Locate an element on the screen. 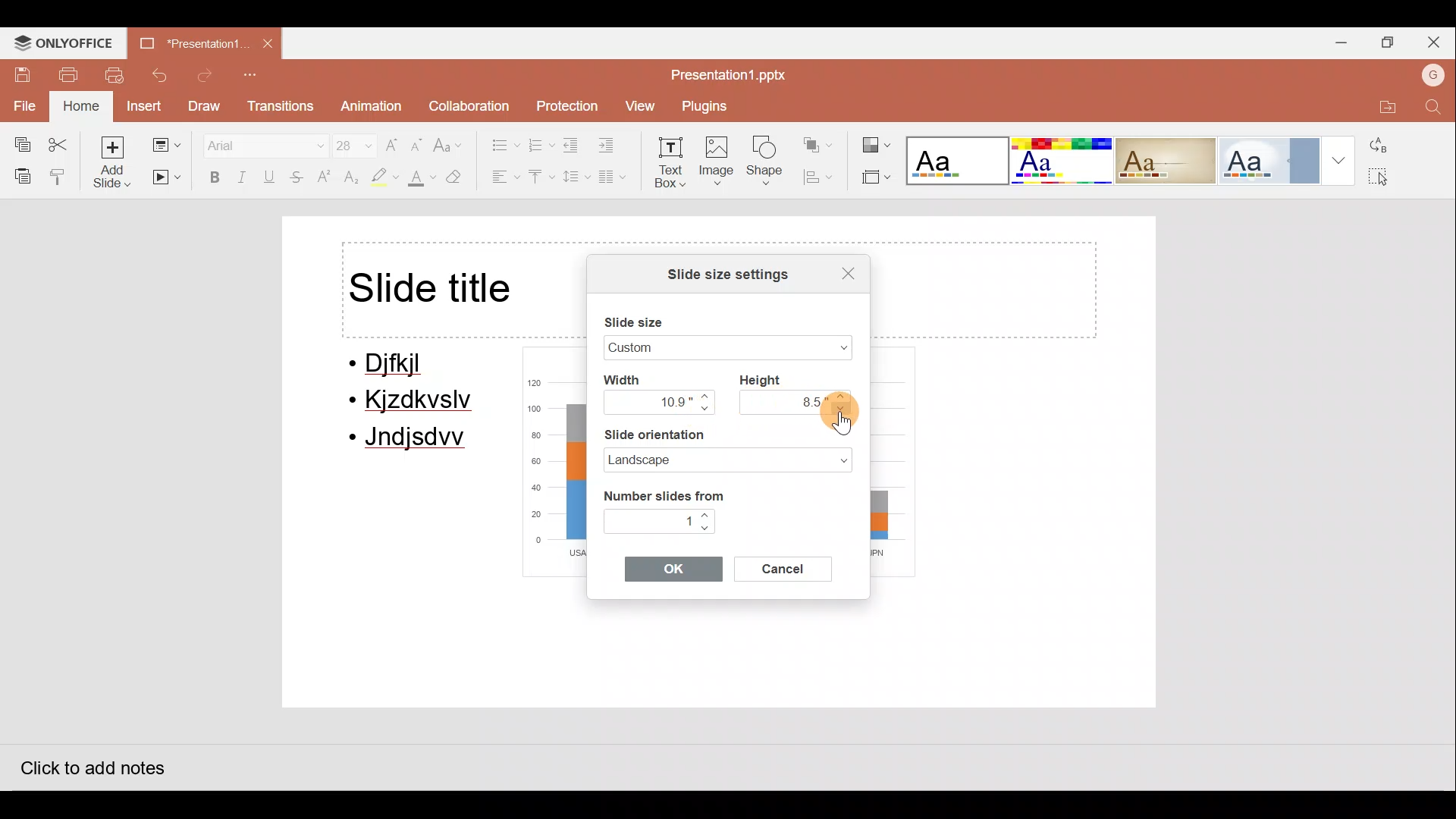 Image resolution: width=1456 pixels, height=819 pixels. 10.9 is located at coordinates (649, 401).